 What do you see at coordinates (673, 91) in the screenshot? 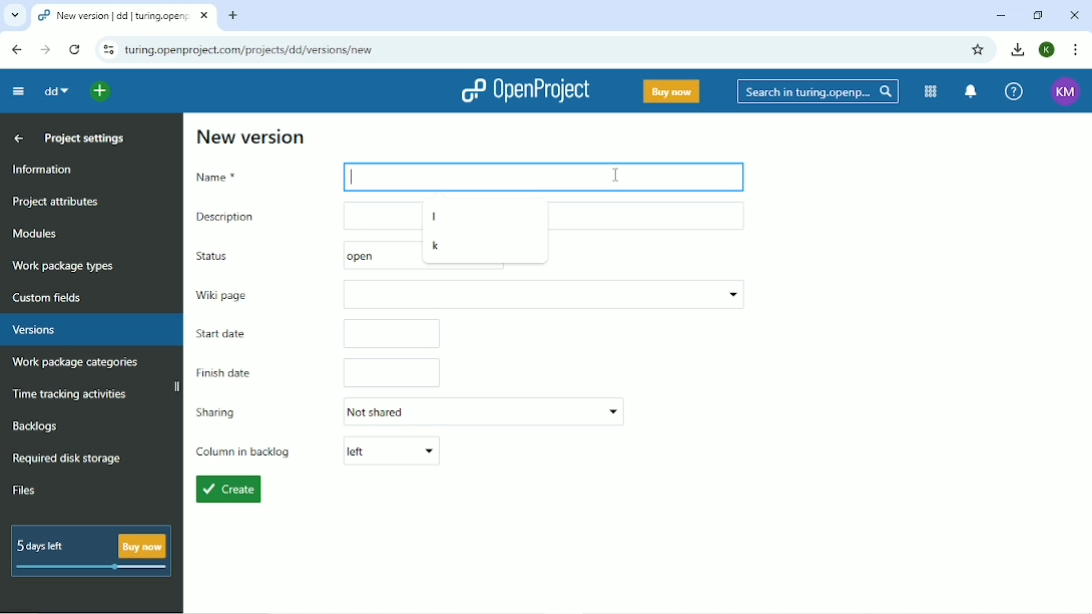
I see `Buy now` at bounding box center [673, 91].